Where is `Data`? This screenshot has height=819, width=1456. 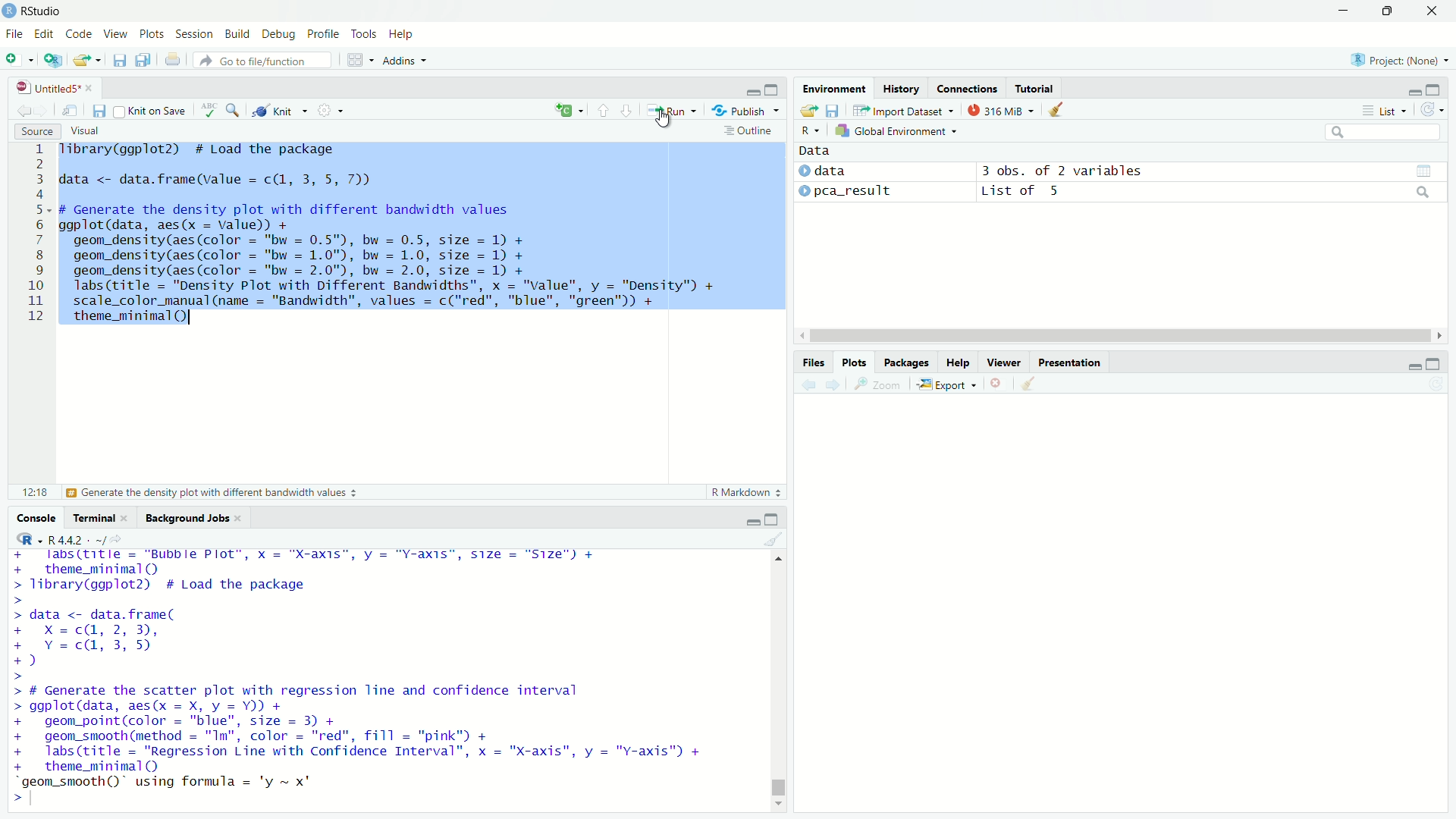 Data is located at coordinates (815, 151).